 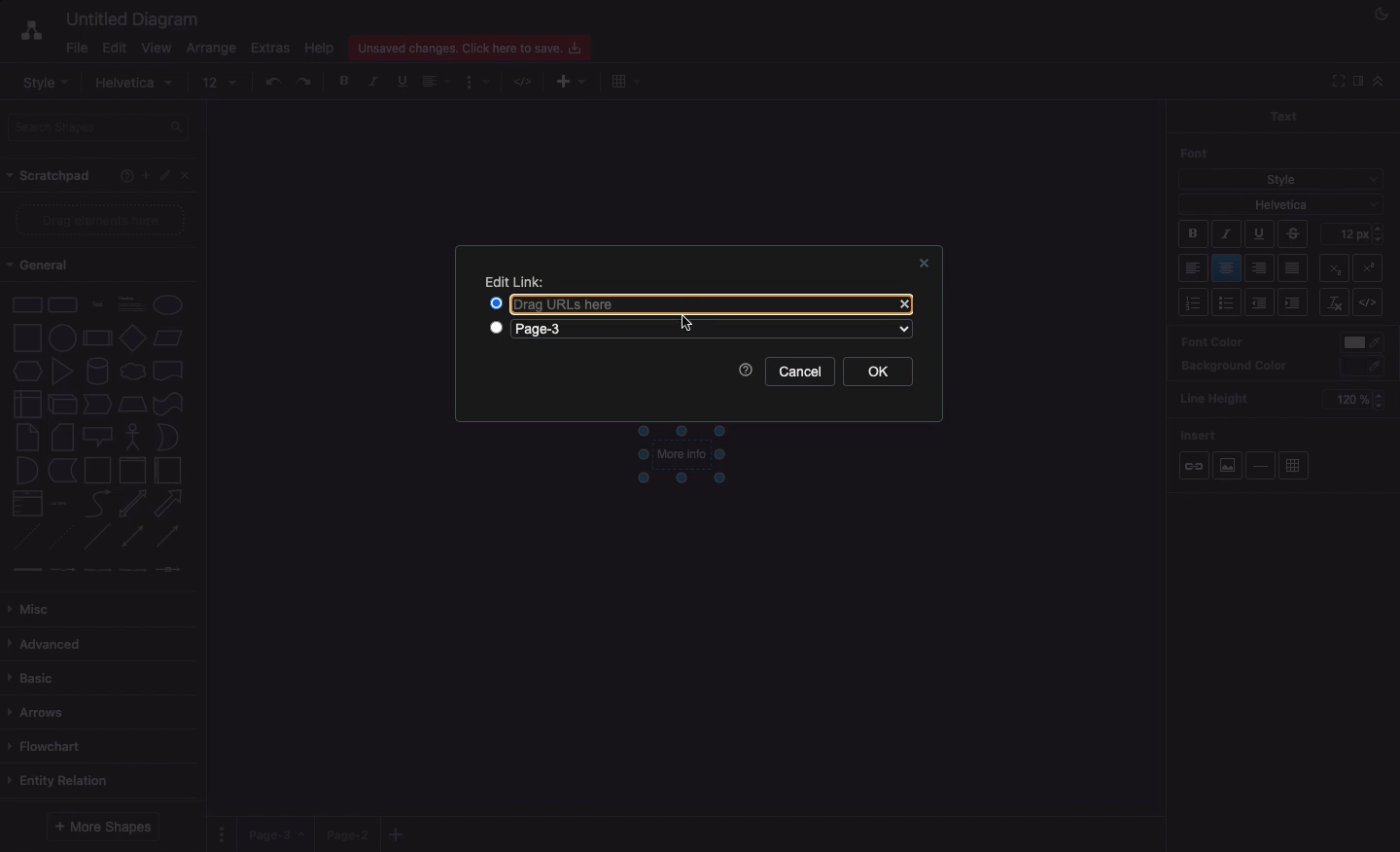 What do you see at coordinates (374, 81) in the screenshot?
I see `Italics` at bounding box center [374, 81].